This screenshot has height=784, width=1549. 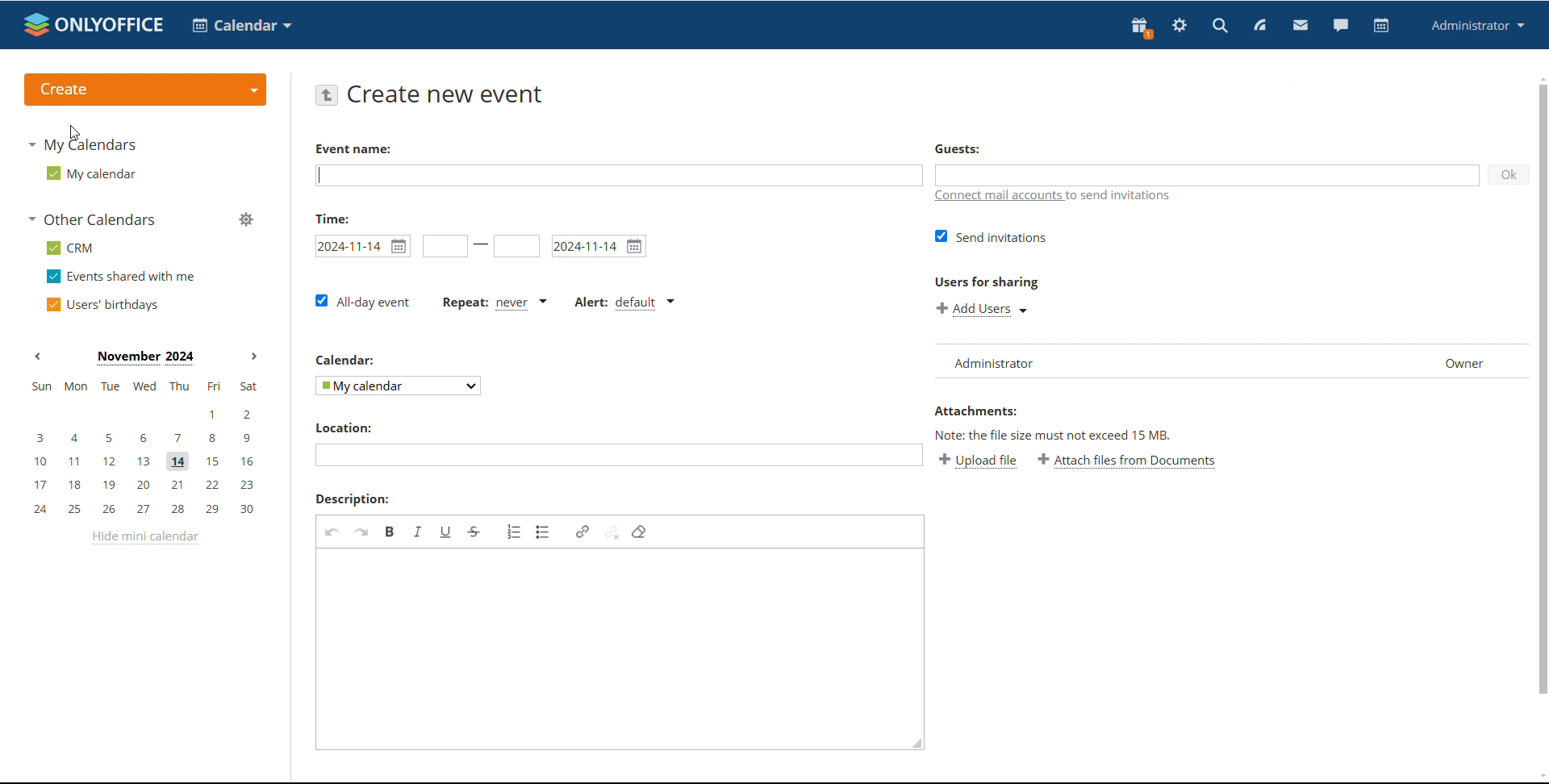 What do you see at coordinates (142, 415) in the screenshot?
I see `1, 2` at bounding box center [142, 415].